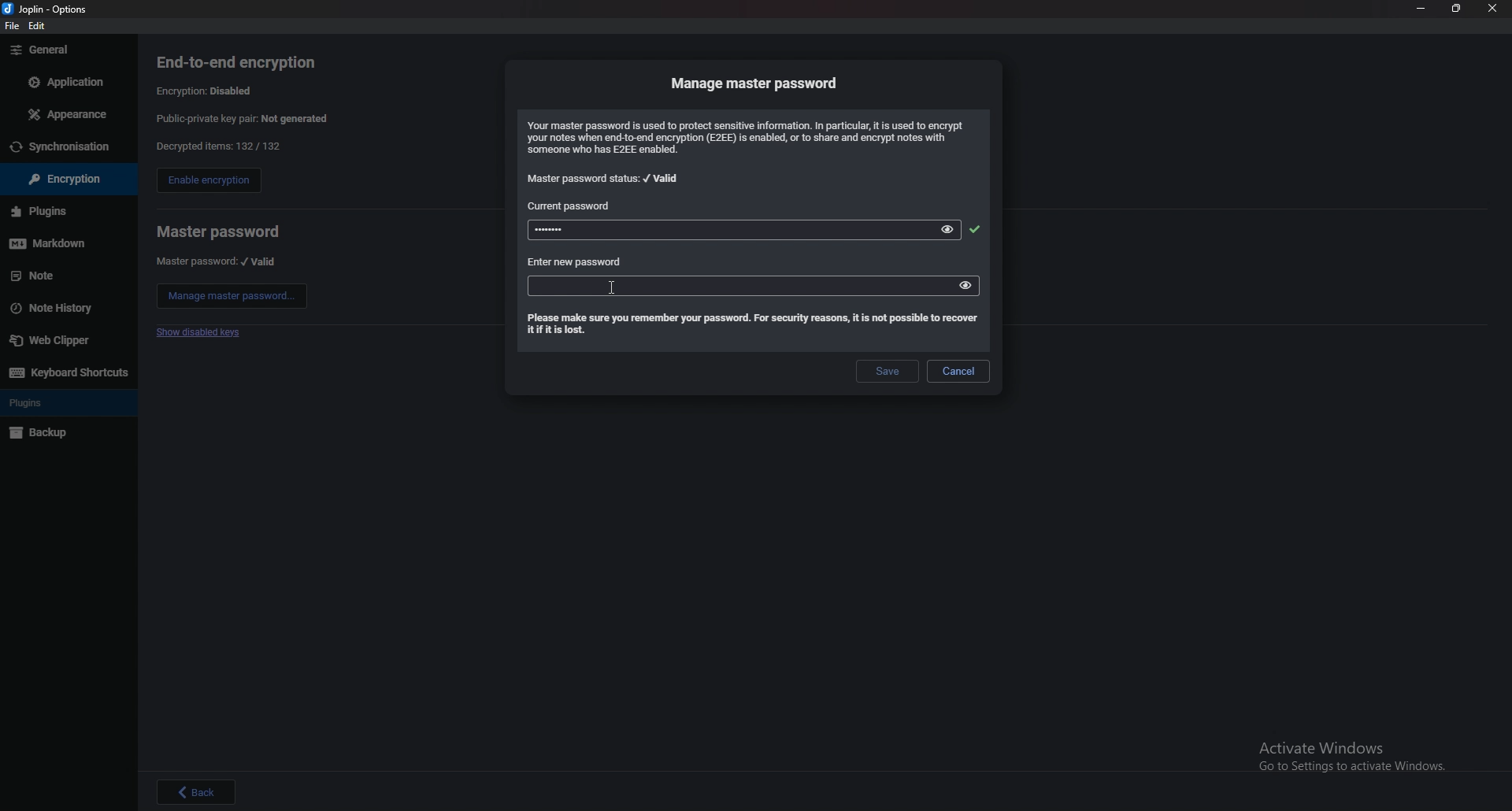 This screenshot has height=811, width=1512. What do you see at coordinates (750, 137) in the screenshot?
I see `info` at bounding box center [750, 137].